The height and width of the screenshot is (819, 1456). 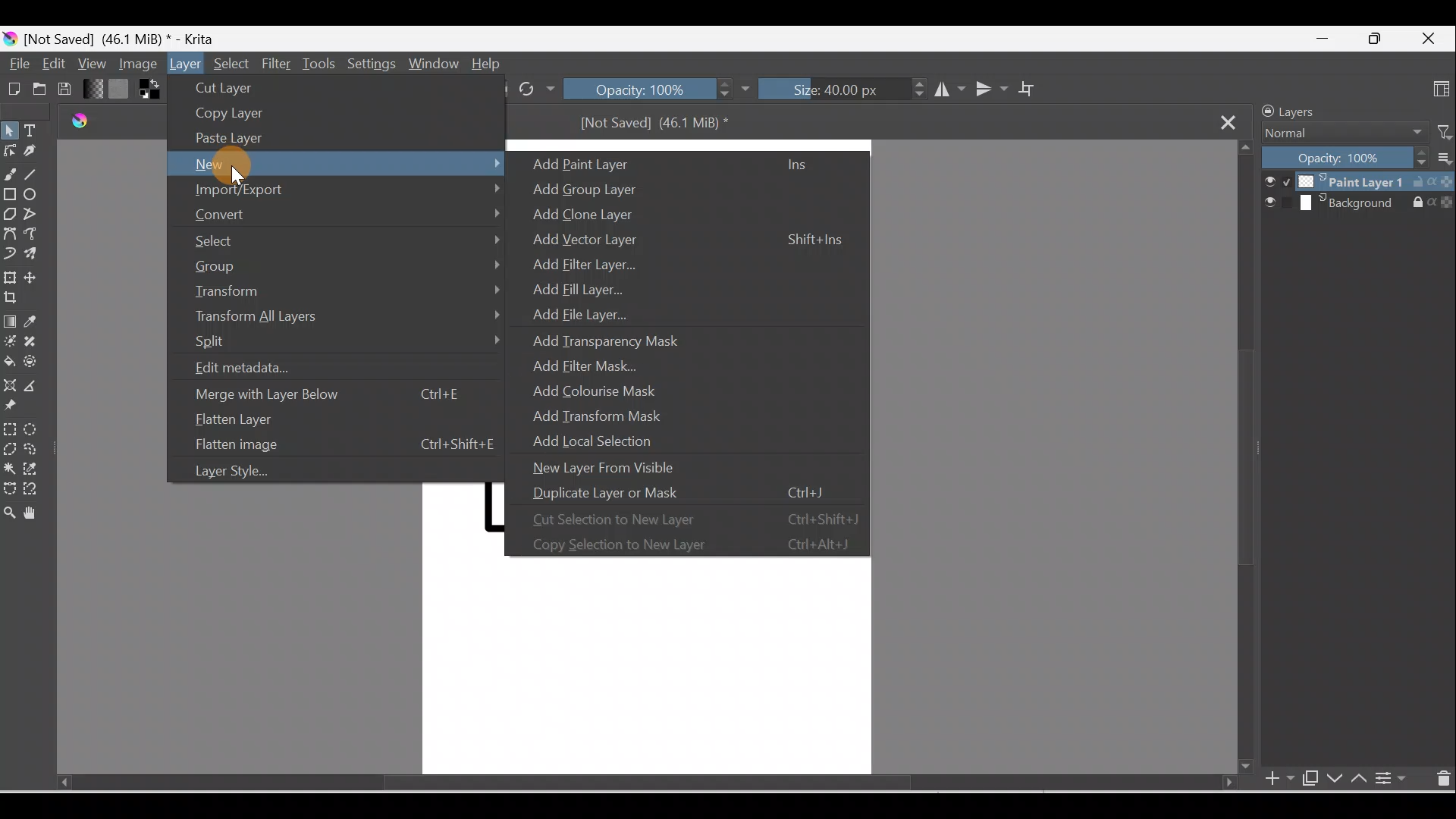 I want to click on Add clone layer, so click(x=591, y=215).